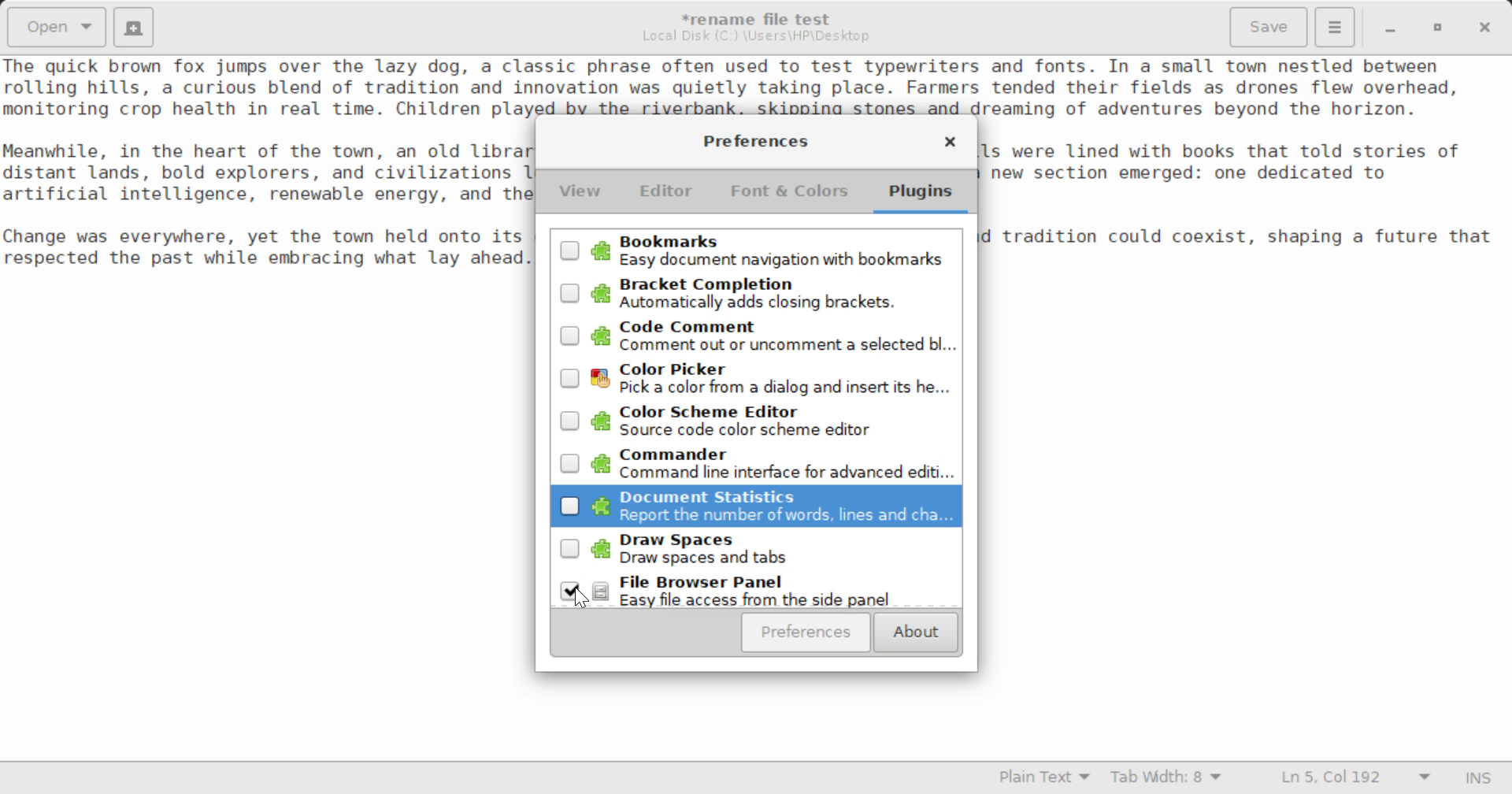 The width and height of the screenshot is (1512, 794). Describe the element at coordinates (1045, 779) in the screenshot. I see `Selected Language` at that location.